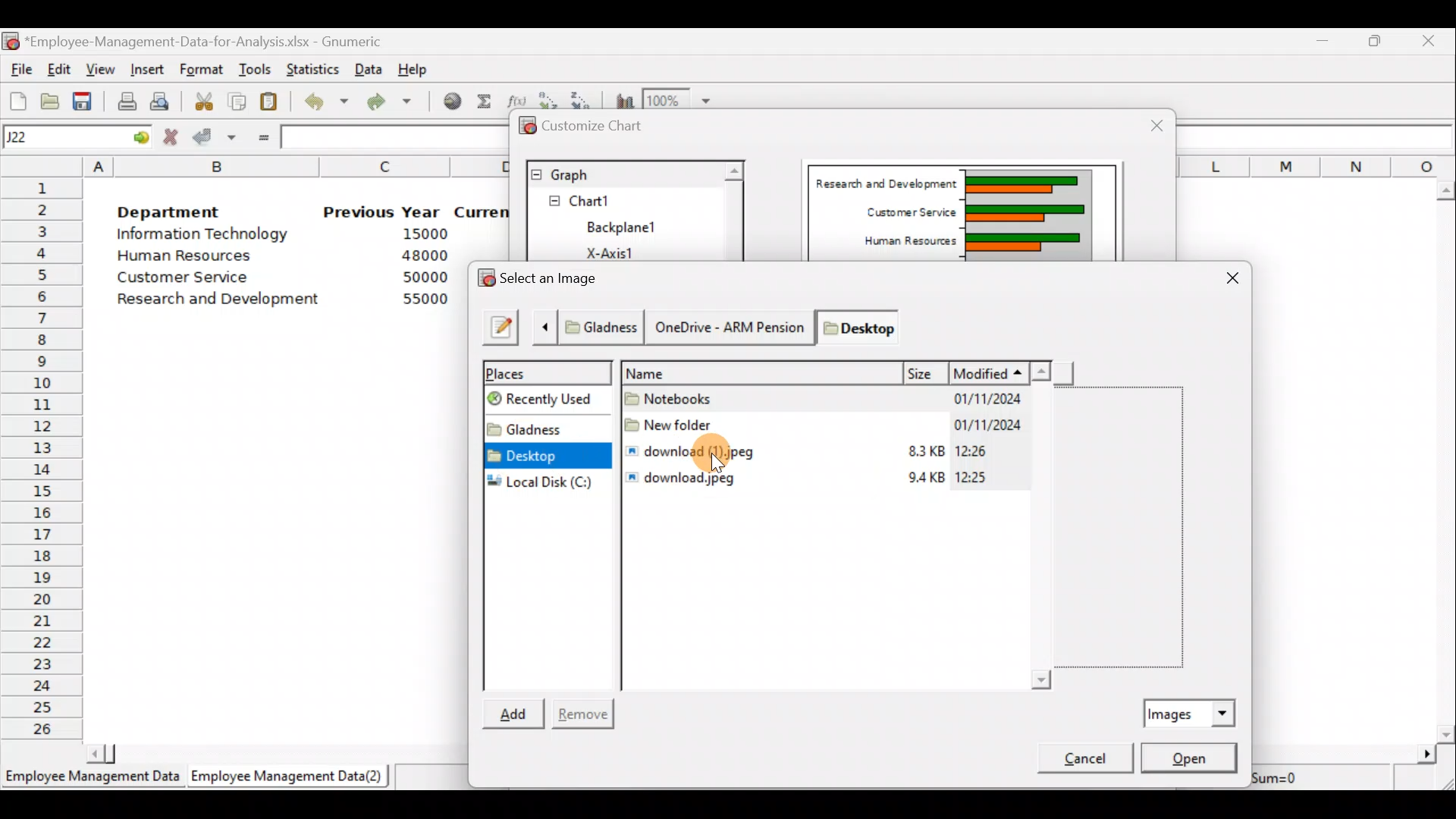 This screenshot has width=1456, height=819. Describe the element at coordinates (981, 401) in the screenshot. I see `01/11/2024` at that location.